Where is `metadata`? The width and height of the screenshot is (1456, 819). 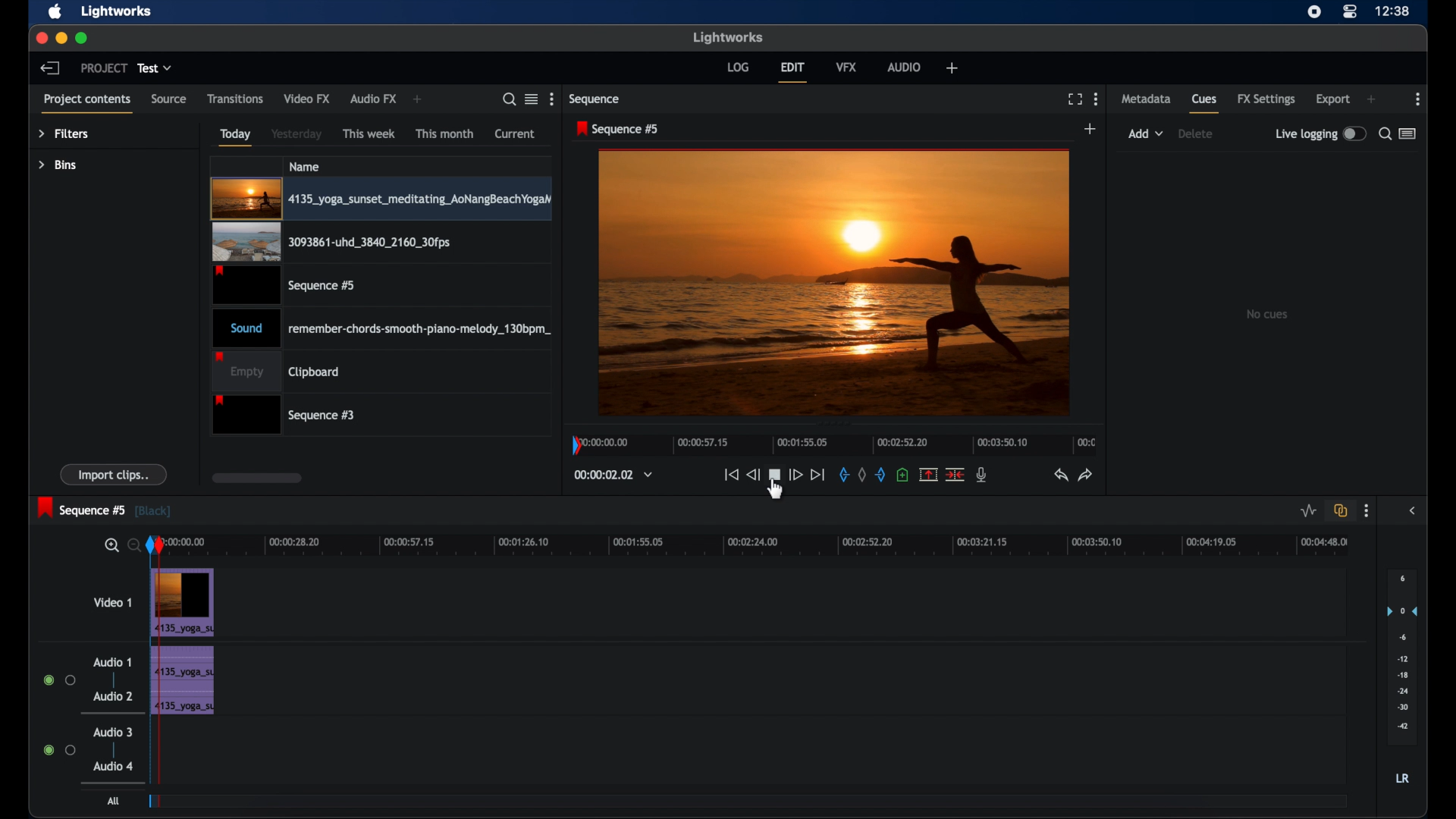
metadata is located at coordinates (1147, 99).